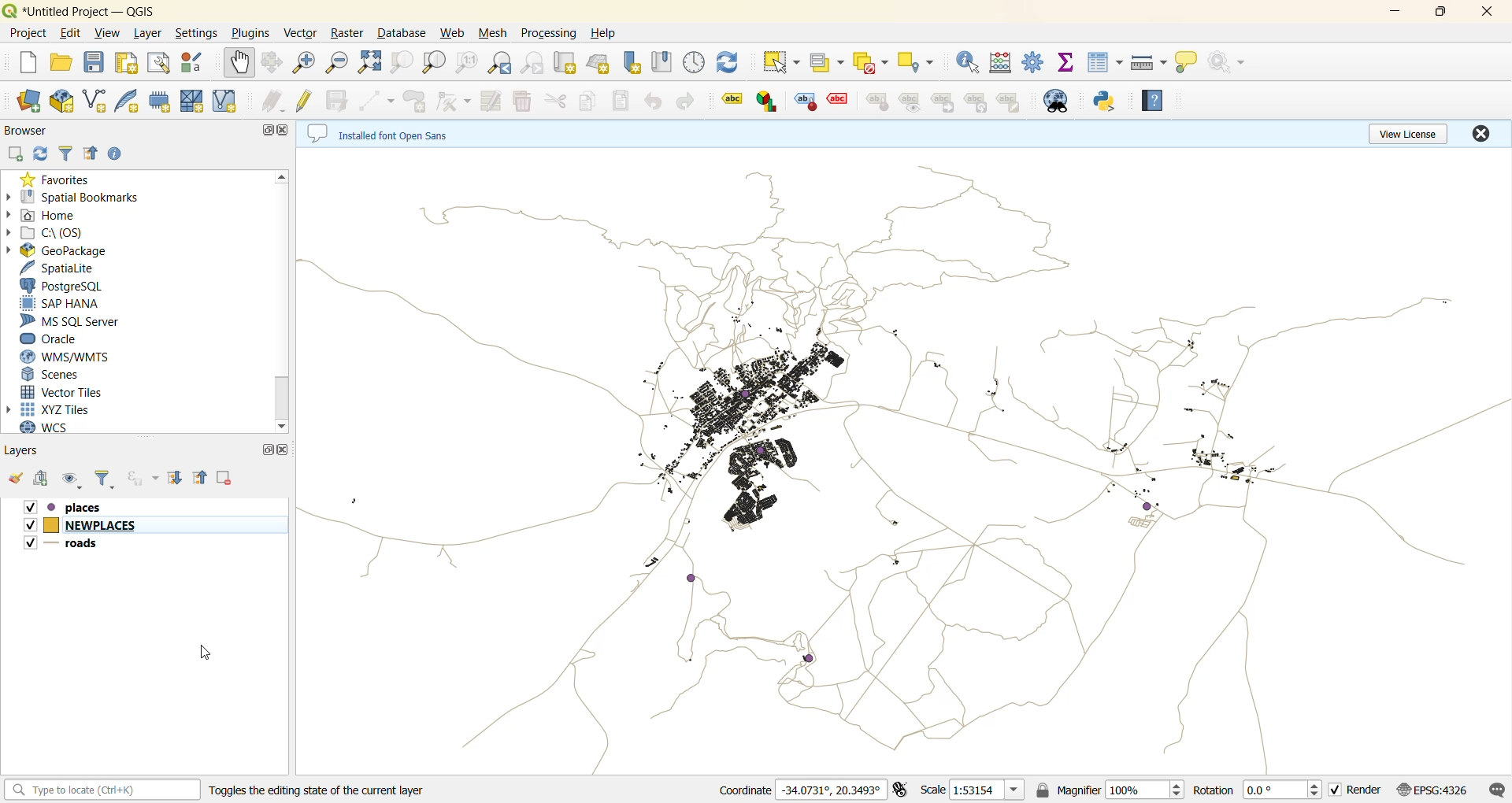 The image size is (1512, 803). I want to click on vertex tool, so click(457, 101).